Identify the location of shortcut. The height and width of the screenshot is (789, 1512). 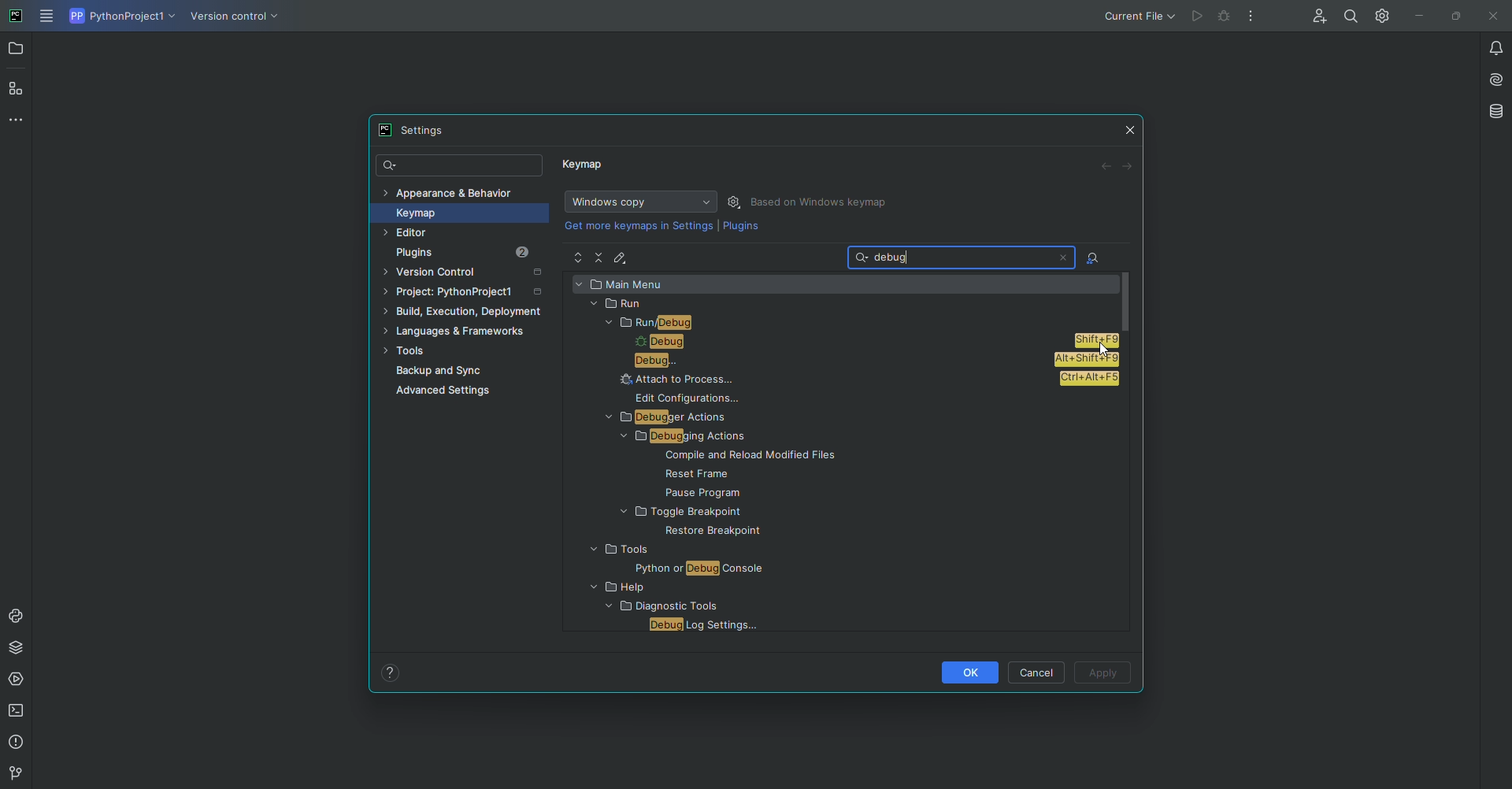
(1088, 360).